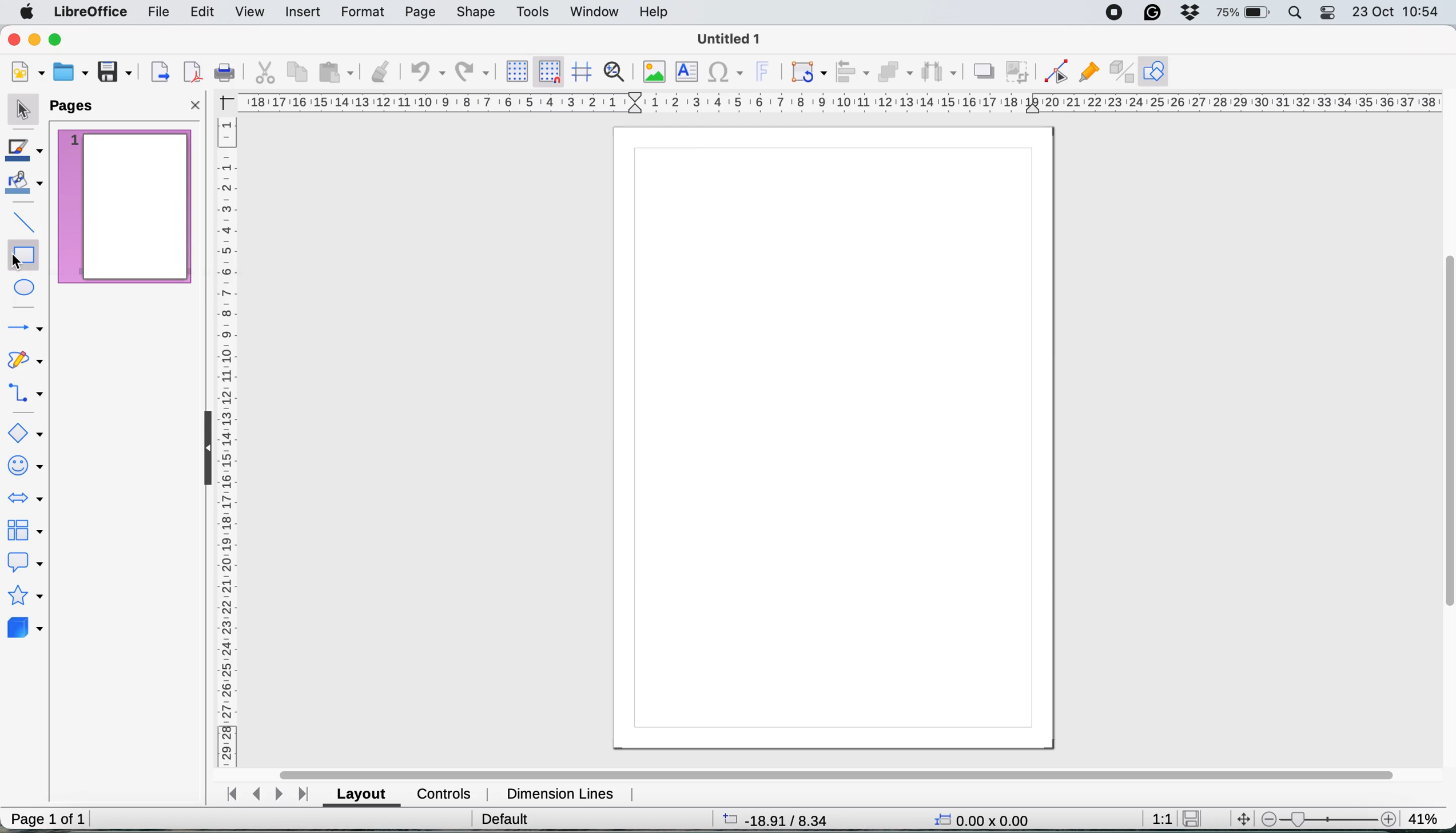 The image size is (1456, 833). I want to click on view, so click(252, 13).